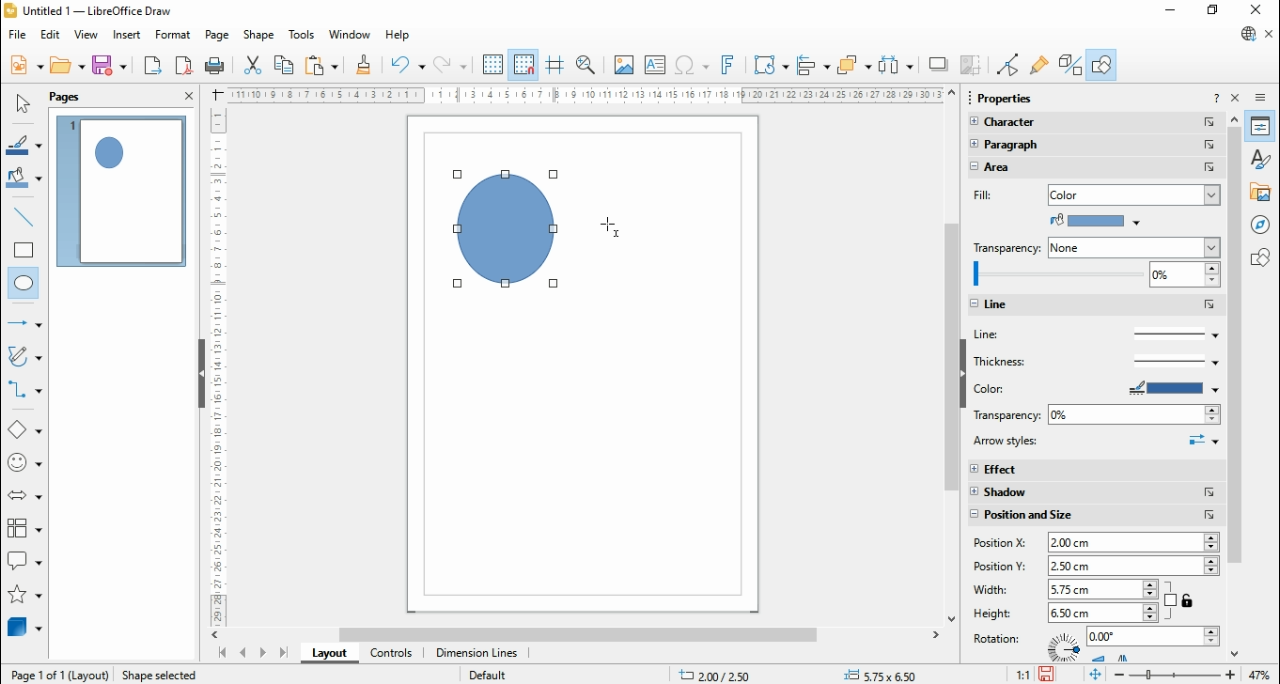 The height and width of the screenshot is (684, 1280). What do you see at coordinates (1270, 35) in the screenshot?
I see `close document` at bounding box center [1270, 35].